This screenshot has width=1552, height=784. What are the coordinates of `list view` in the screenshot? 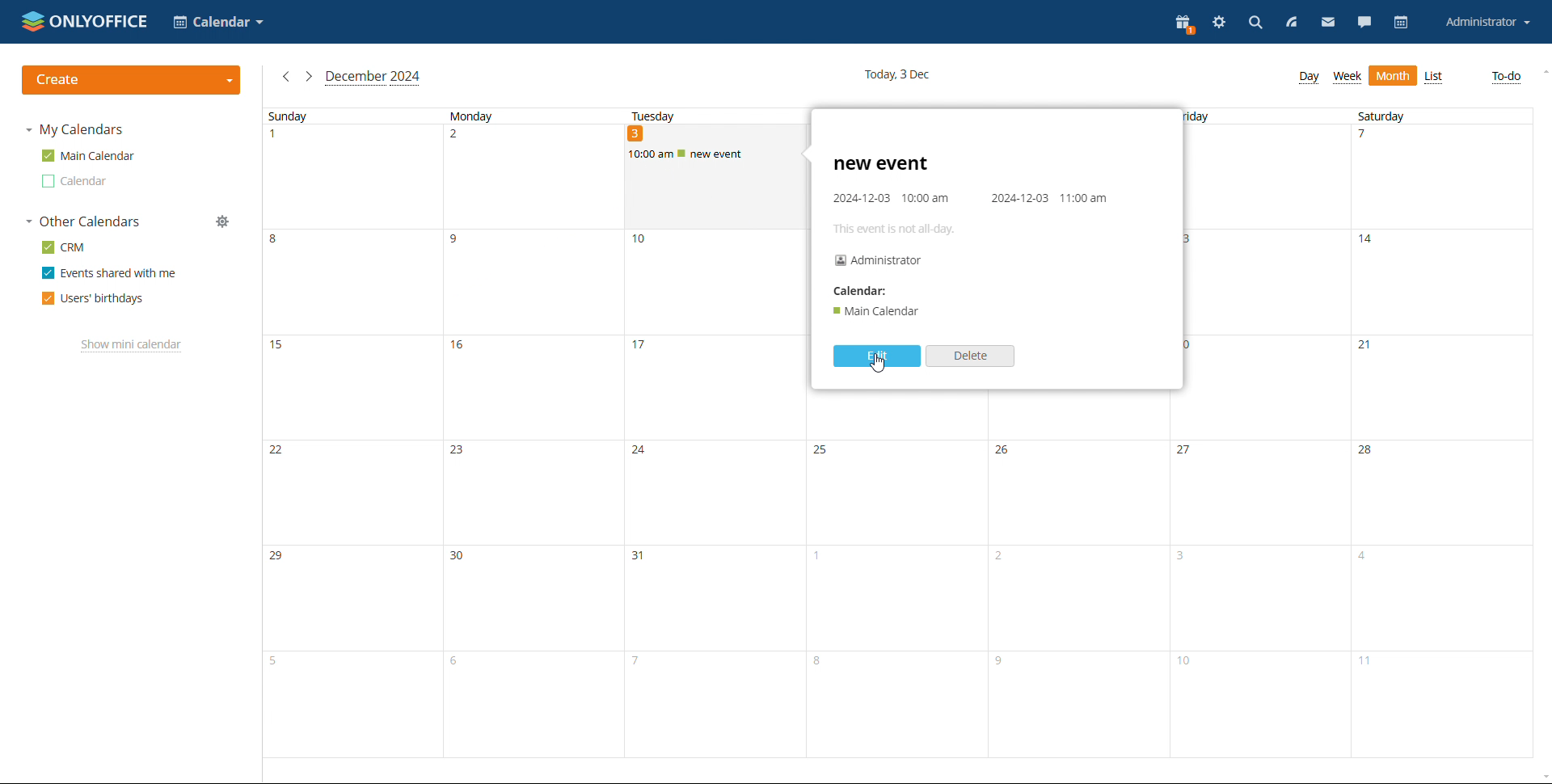 It's located at (1433, 78).